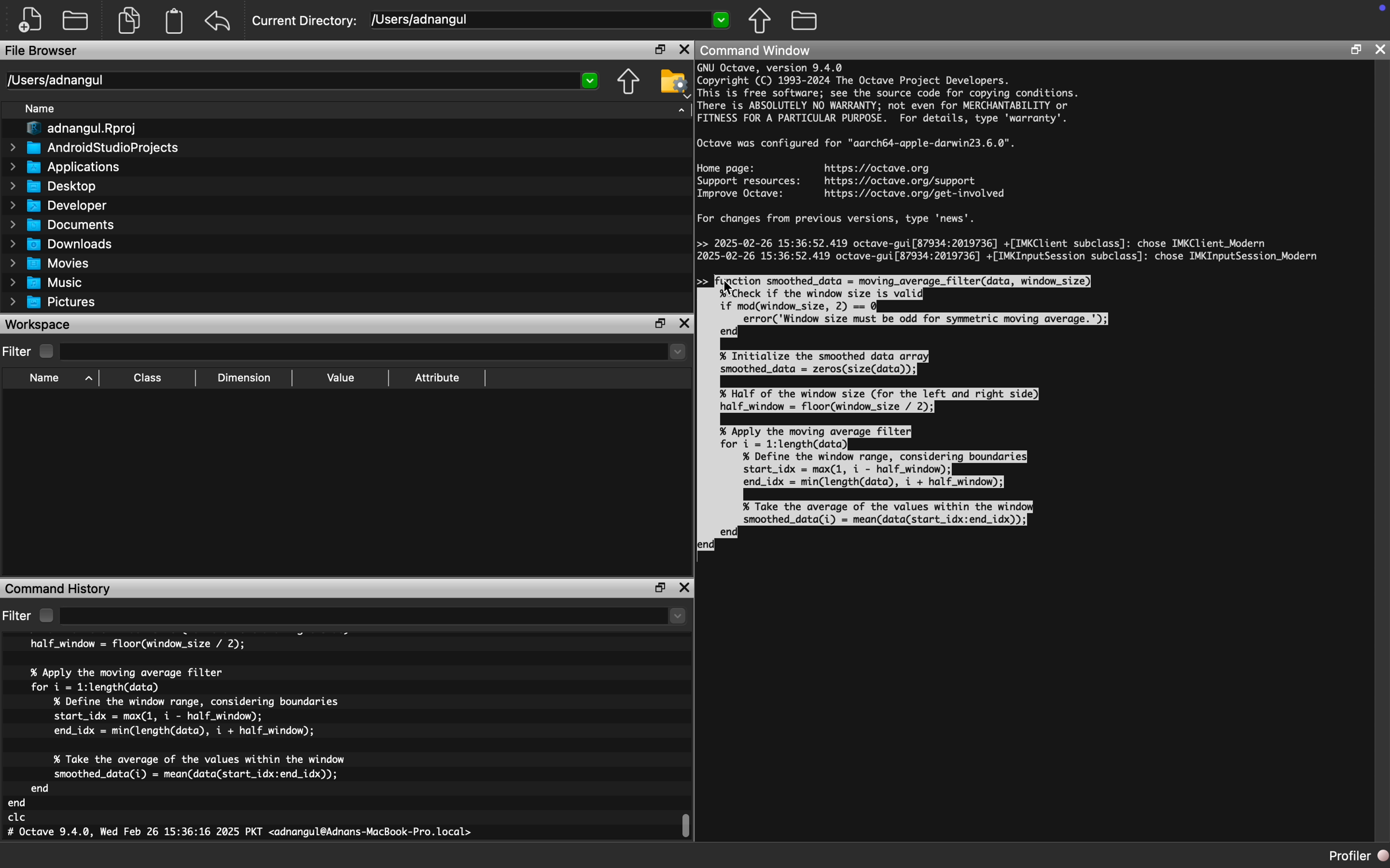 This screenshot has height=868, width=1390. I want to click on Copy, so click(129, 21).